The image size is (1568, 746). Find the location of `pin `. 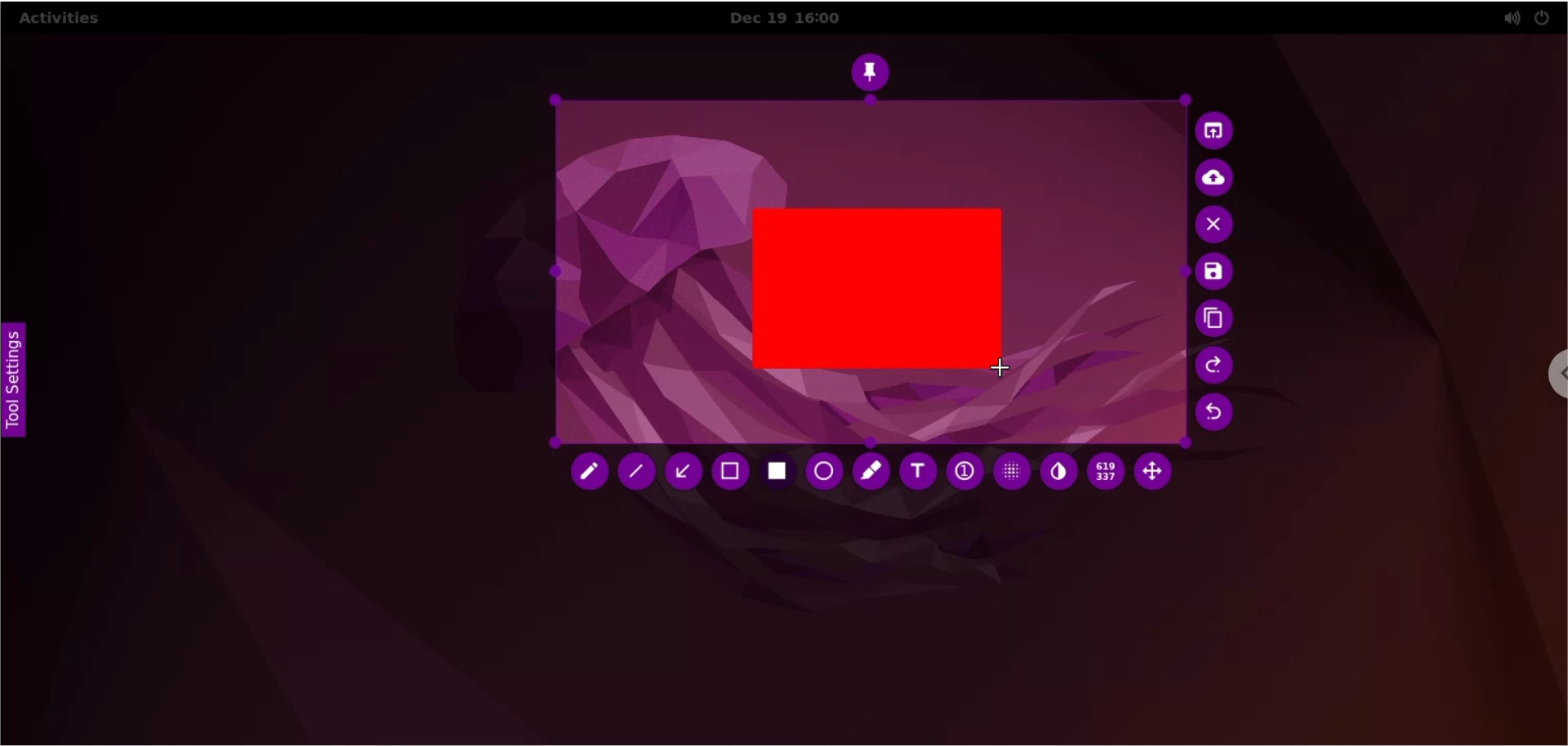

pin  is located at coordinates (875, 69).